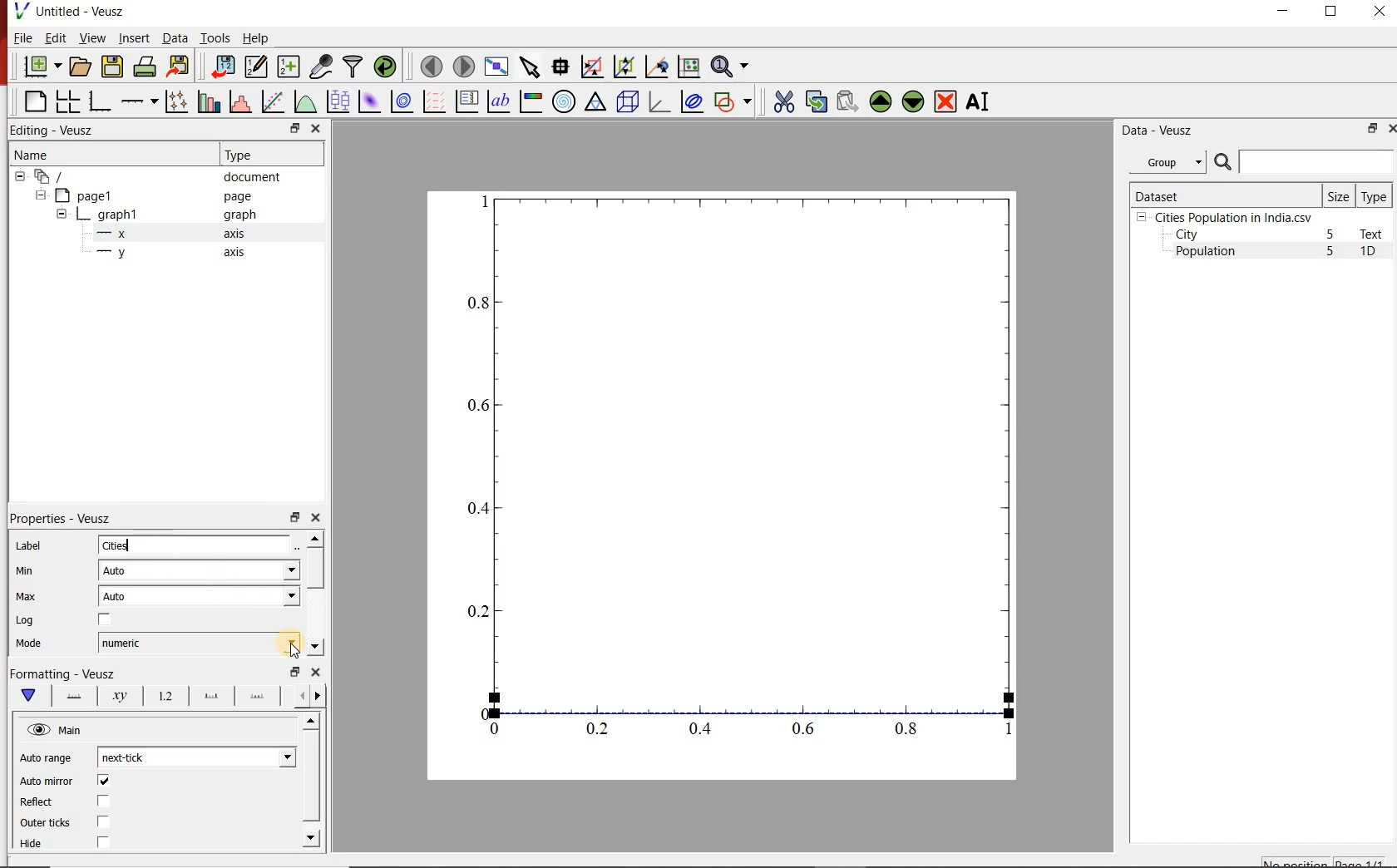 This screenshot has height=868, width=1397. Describe the element at coordinates (71, 12) in the screenshot. I see `Untitled-Veusz` at that location.